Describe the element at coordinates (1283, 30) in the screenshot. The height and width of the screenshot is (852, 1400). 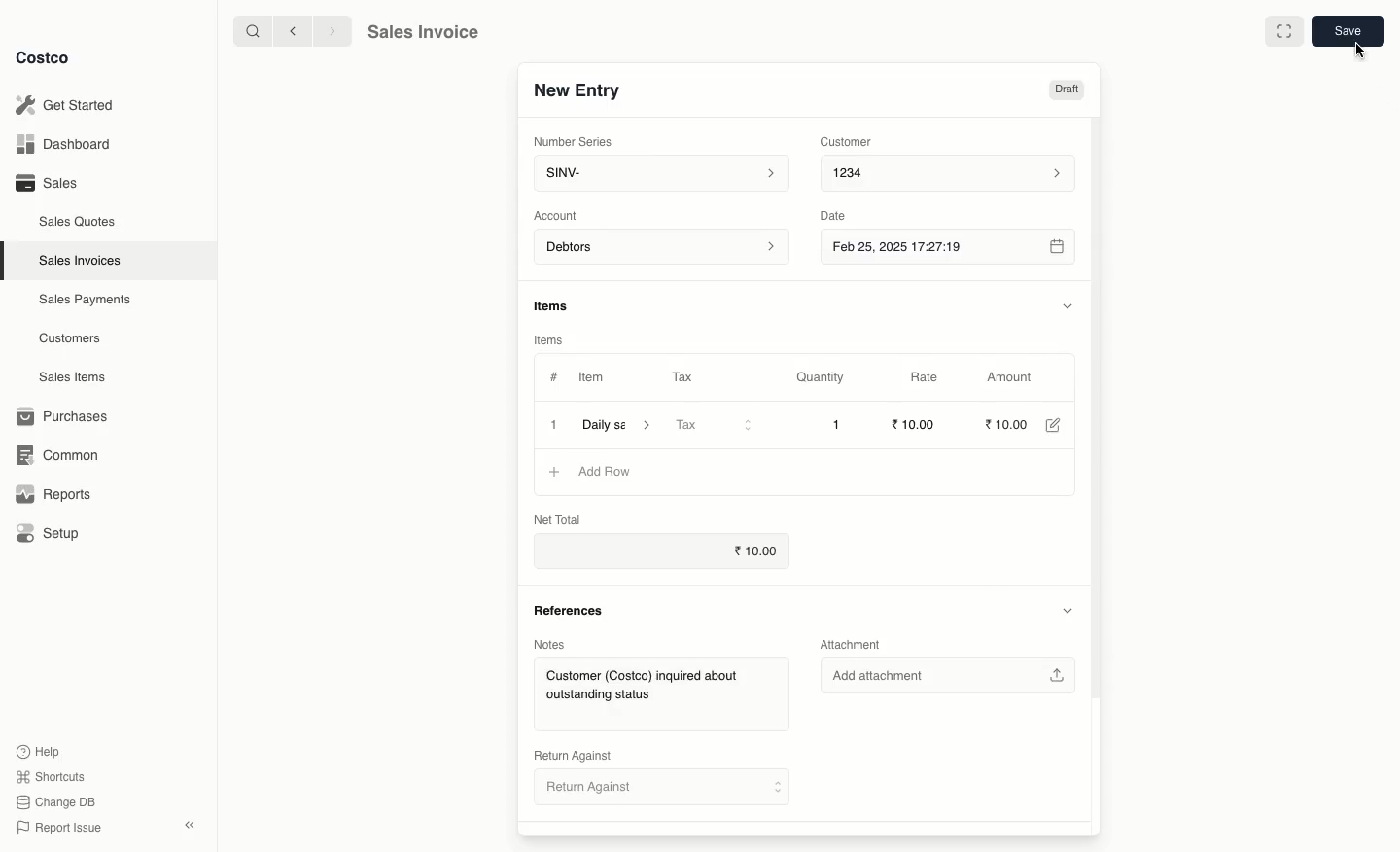
I see `Full width toggle` at that location.